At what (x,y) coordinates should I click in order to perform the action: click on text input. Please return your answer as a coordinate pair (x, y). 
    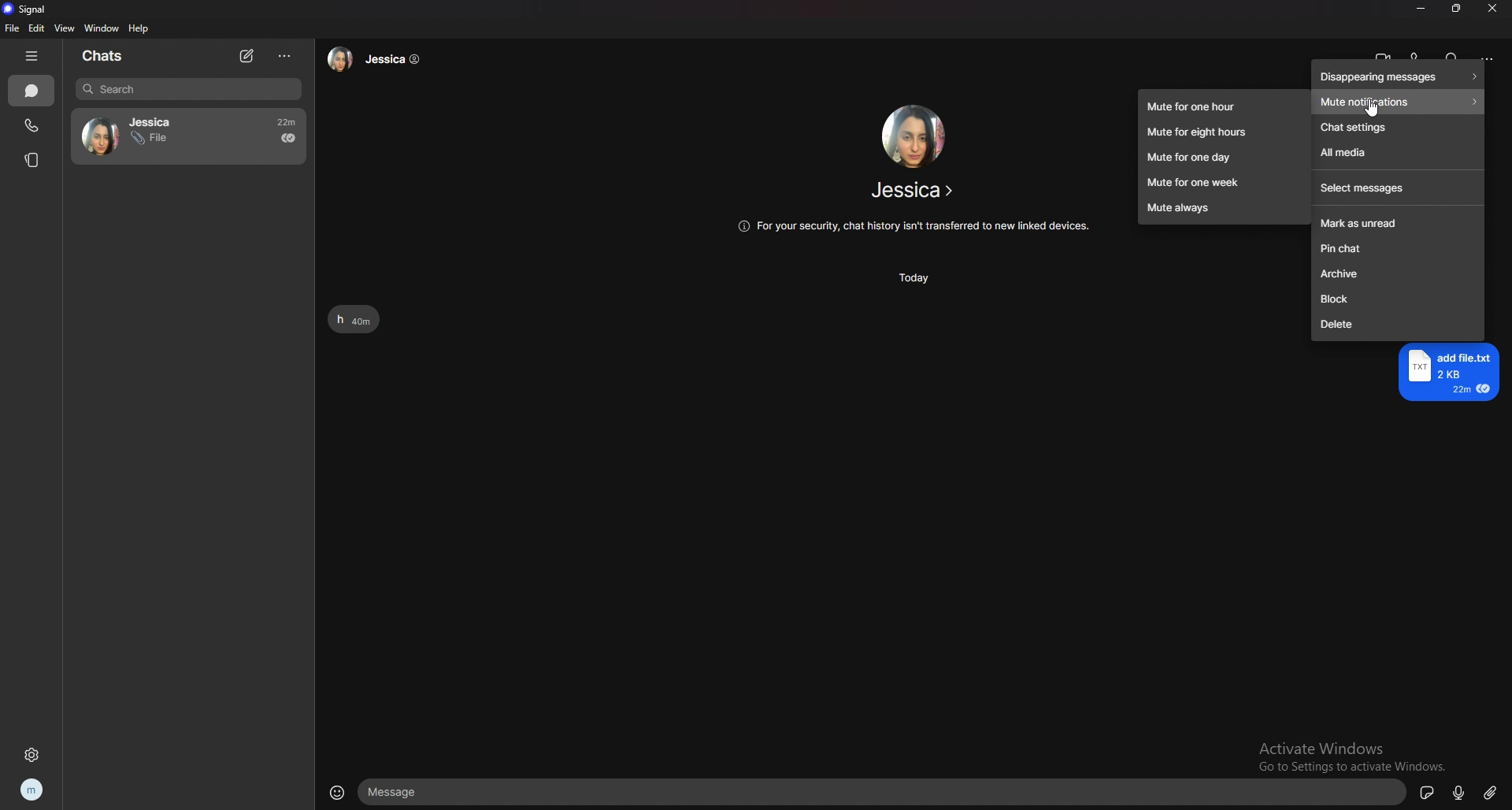
    Looking at the image, I should click on (882, 792).